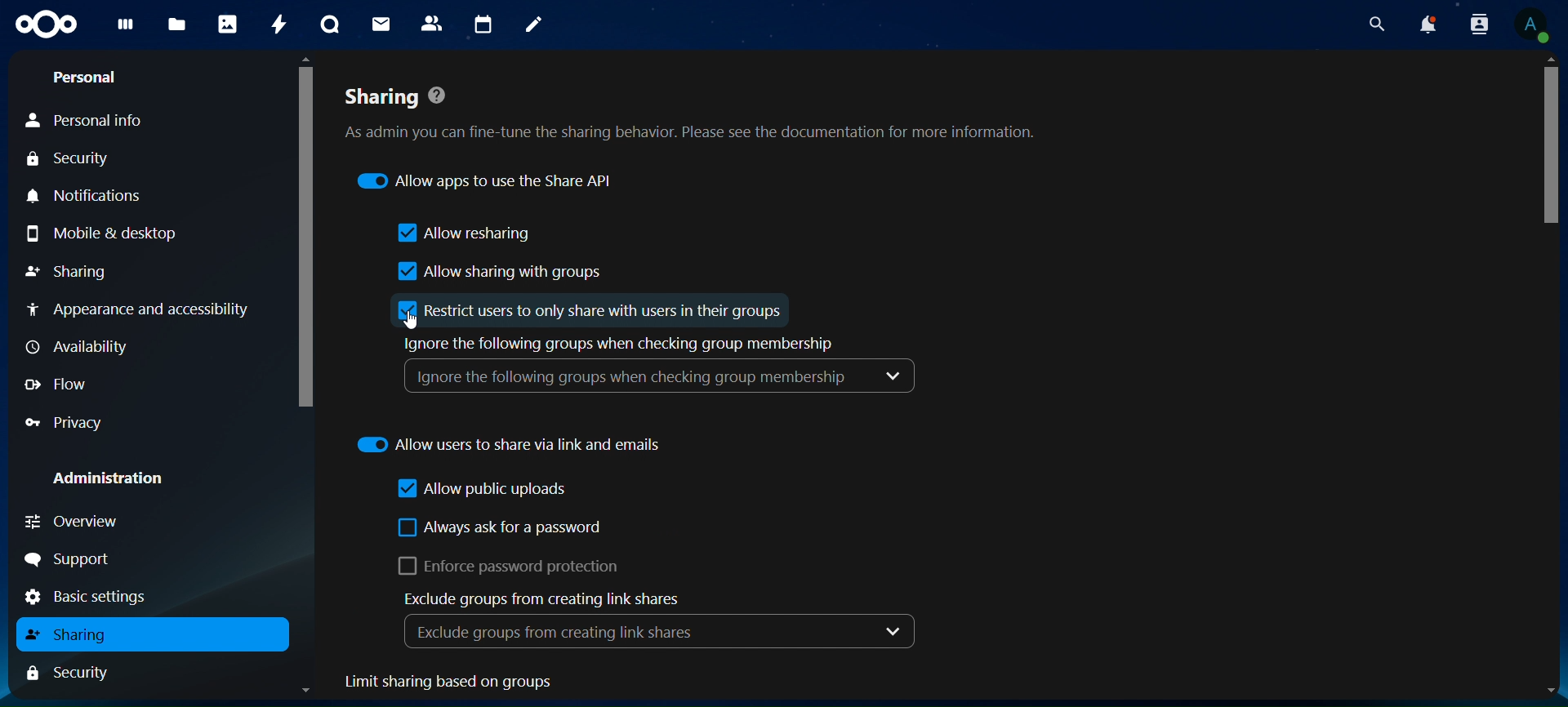  I want to click on mail, so click(379, 24).